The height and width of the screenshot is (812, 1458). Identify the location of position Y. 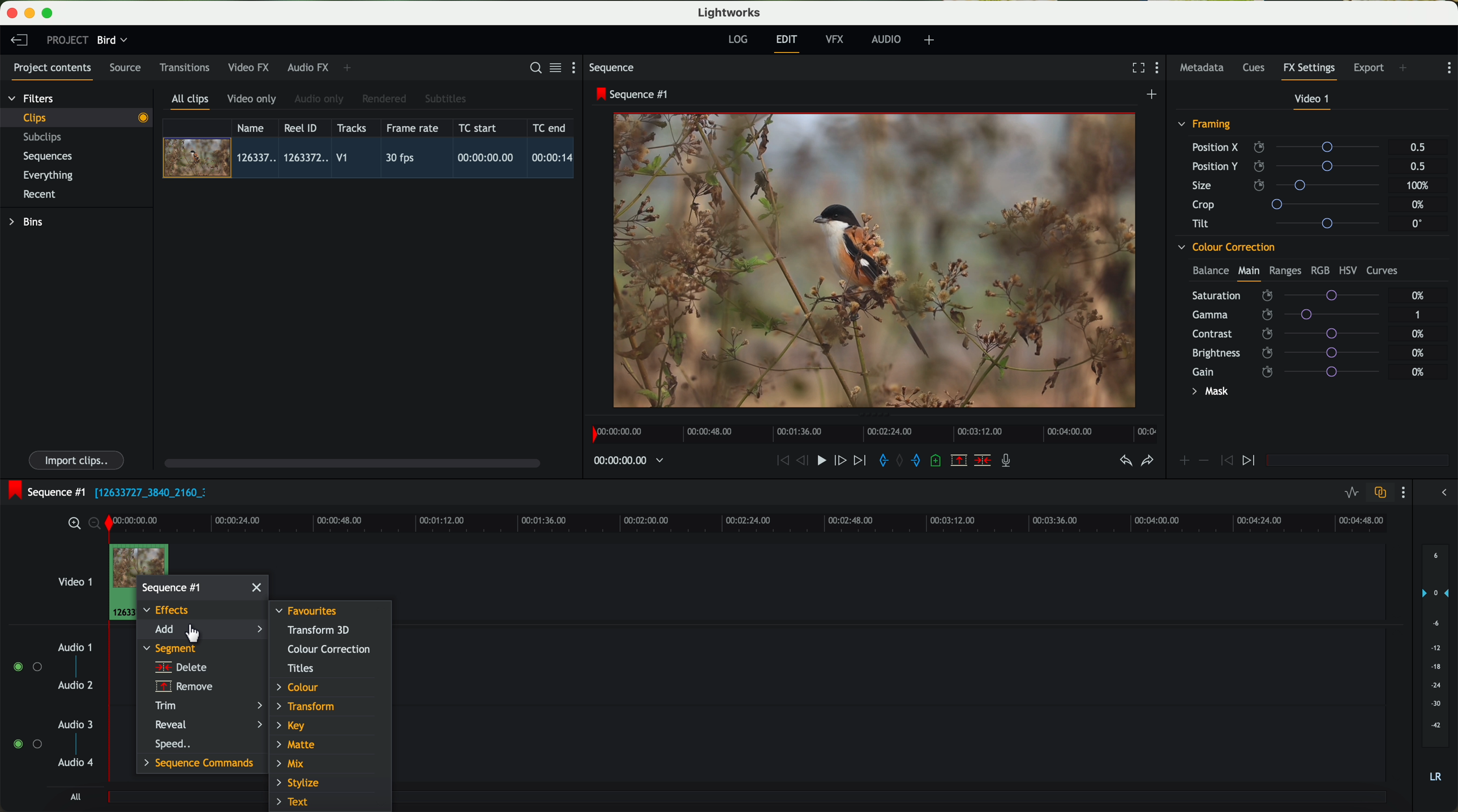
(1290, 166).